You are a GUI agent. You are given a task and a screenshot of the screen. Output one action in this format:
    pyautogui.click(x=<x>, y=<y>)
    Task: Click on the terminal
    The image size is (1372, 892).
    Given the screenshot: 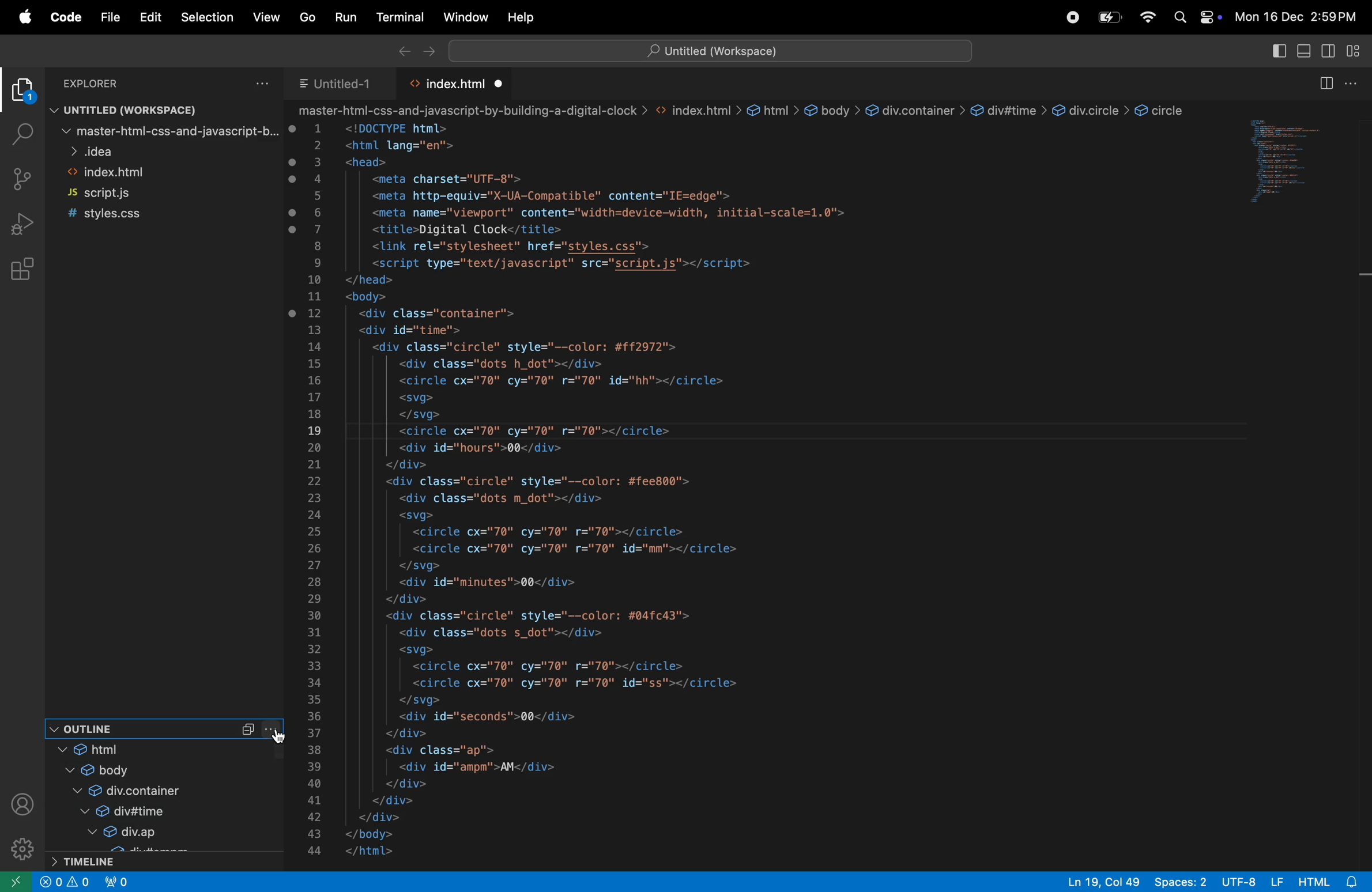 What is the action you would take?
    pyautogui.click(x=395, y=17)
    